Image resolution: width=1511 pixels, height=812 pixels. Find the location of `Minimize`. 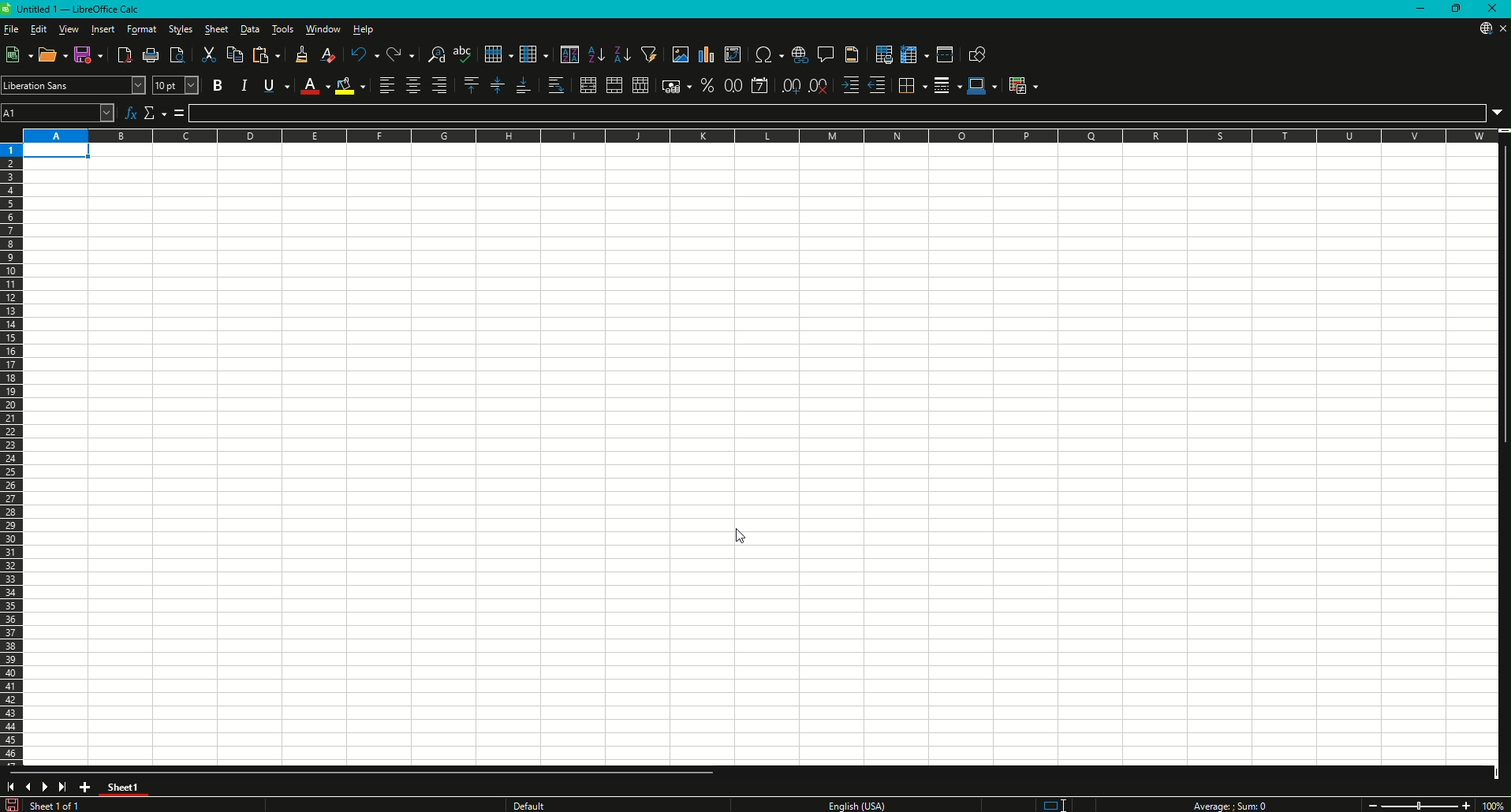

Minimize is located at coordinates (1420, 8).